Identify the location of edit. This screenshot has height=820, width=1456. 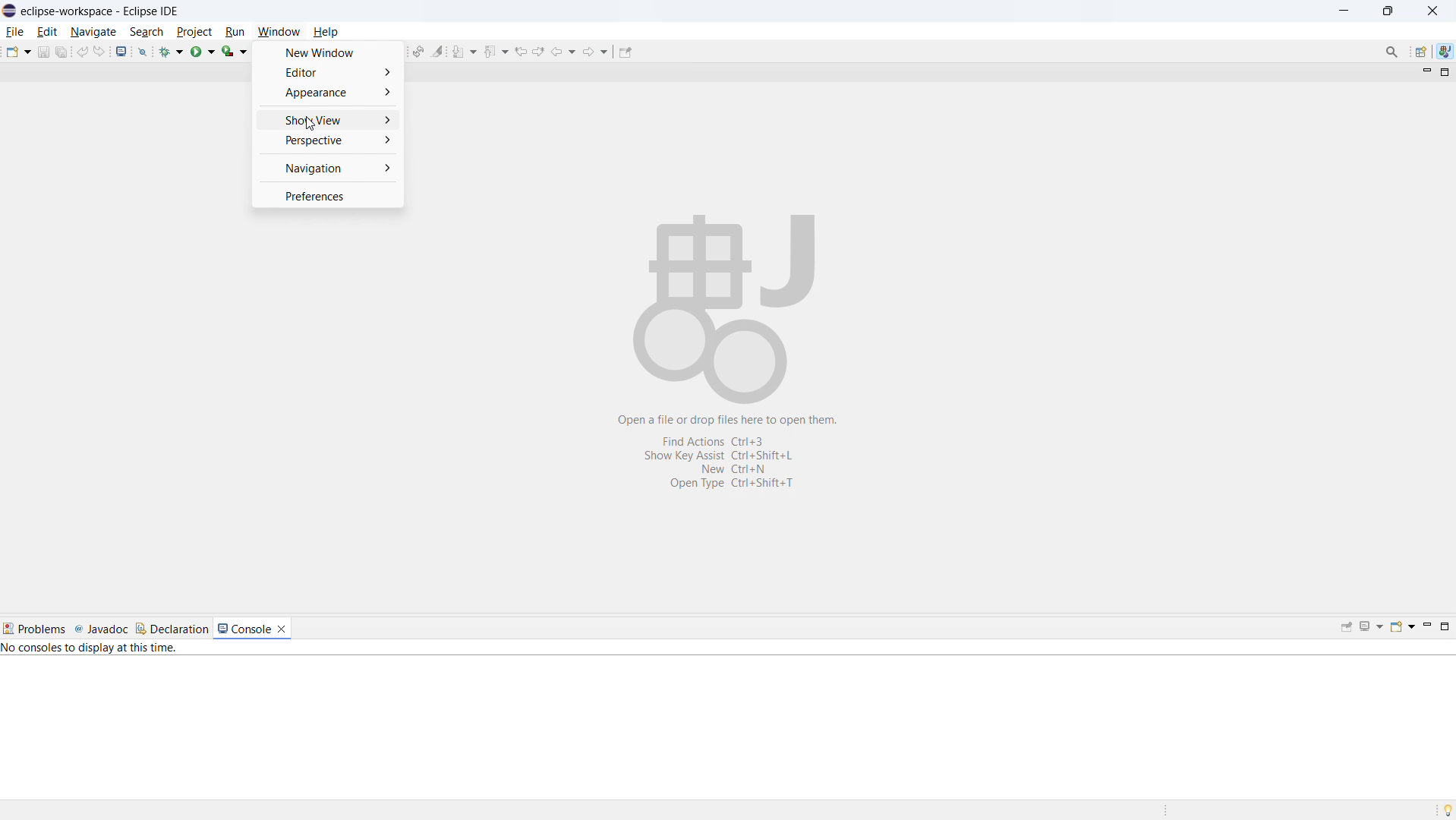
(48, 32).